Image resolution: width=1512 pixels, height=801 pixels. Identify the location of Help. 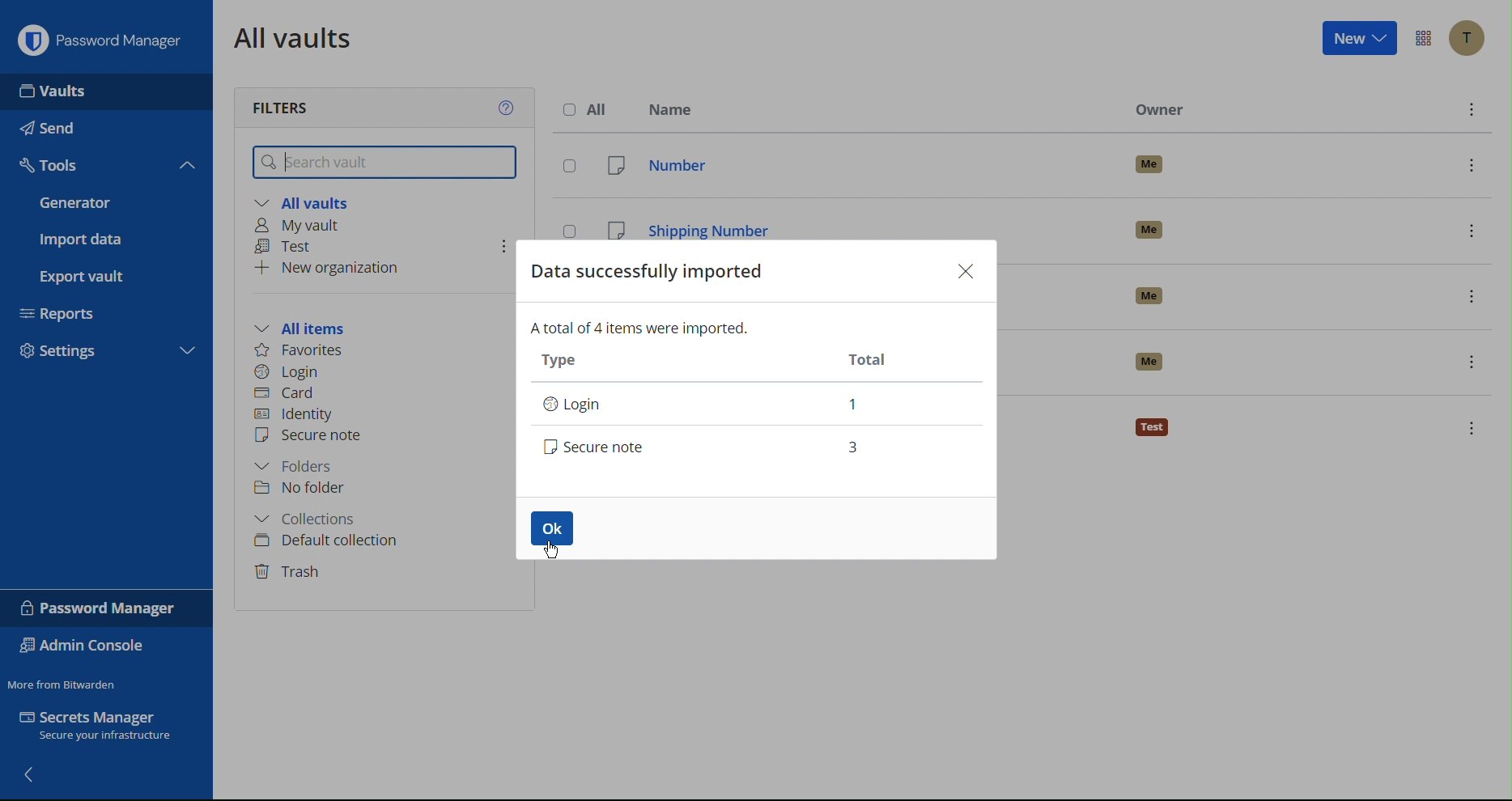
(509, 107).